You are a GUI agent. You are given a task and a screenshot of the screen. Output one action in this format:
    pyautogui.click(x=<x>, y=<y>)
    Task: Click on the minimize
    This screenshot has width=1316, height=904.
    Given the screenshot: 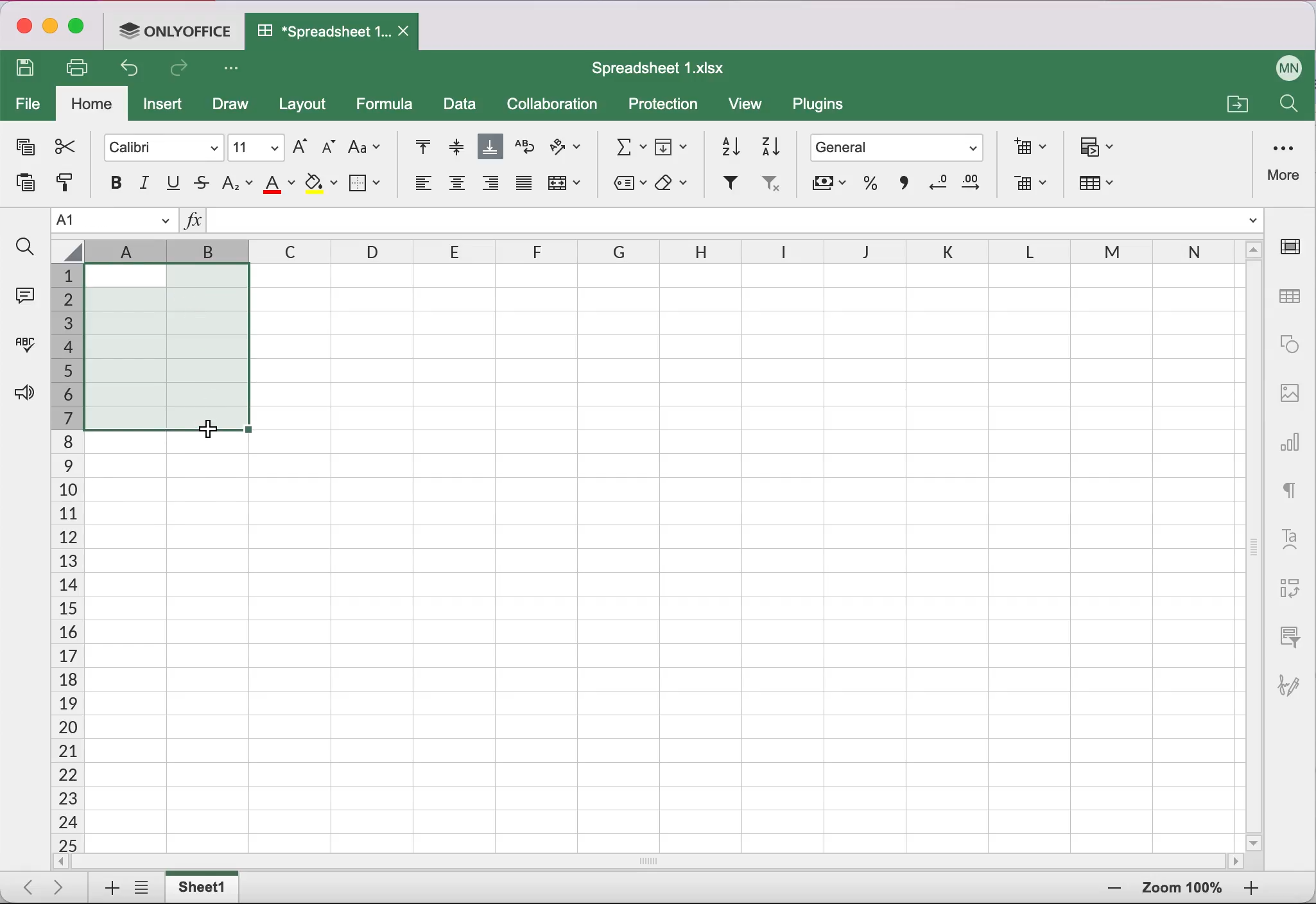 What is the action you would take?
    pyautogui.click(x=50, y=28)
    